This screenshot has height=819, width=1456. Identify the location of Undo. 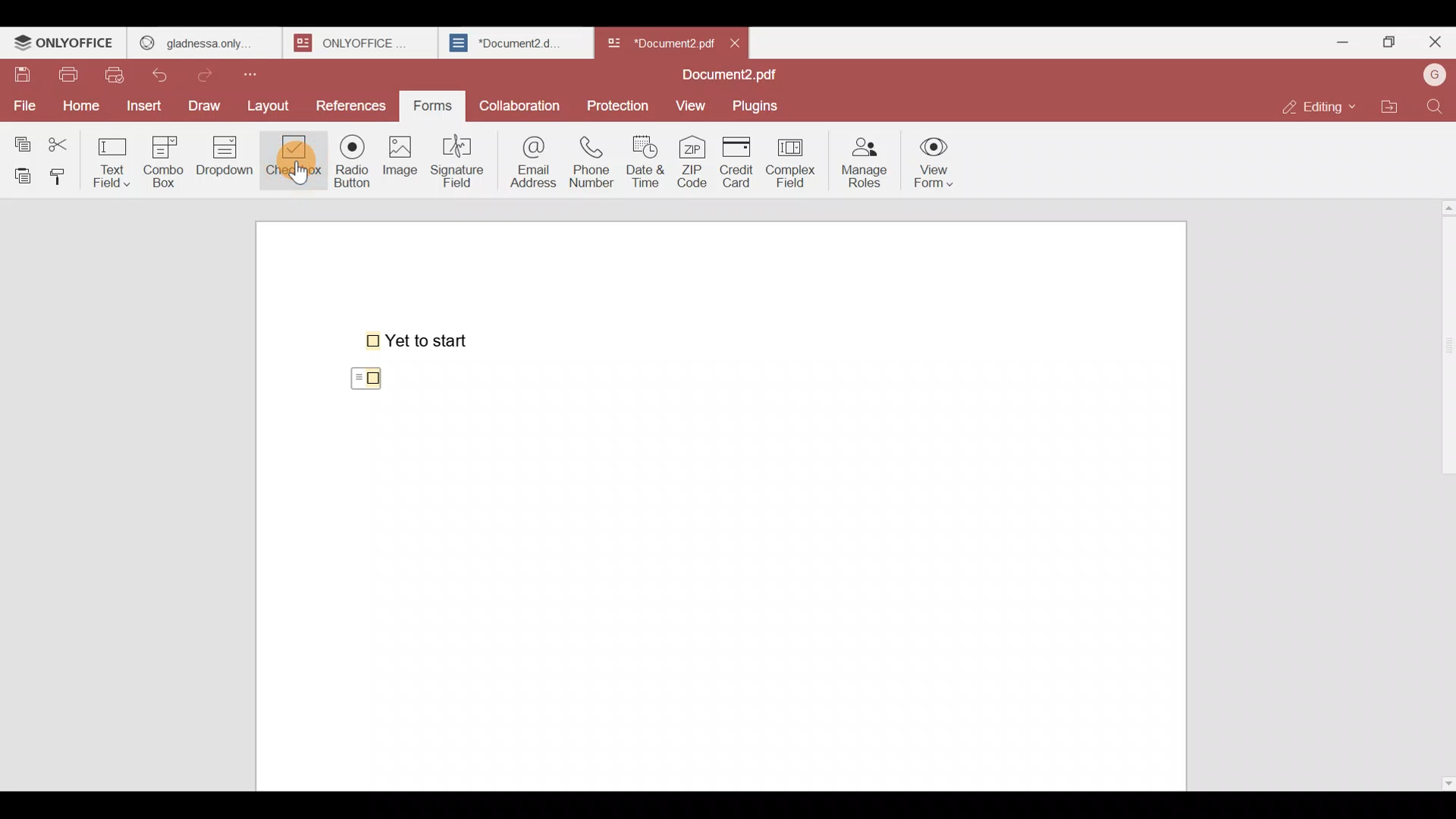
(167, 72).